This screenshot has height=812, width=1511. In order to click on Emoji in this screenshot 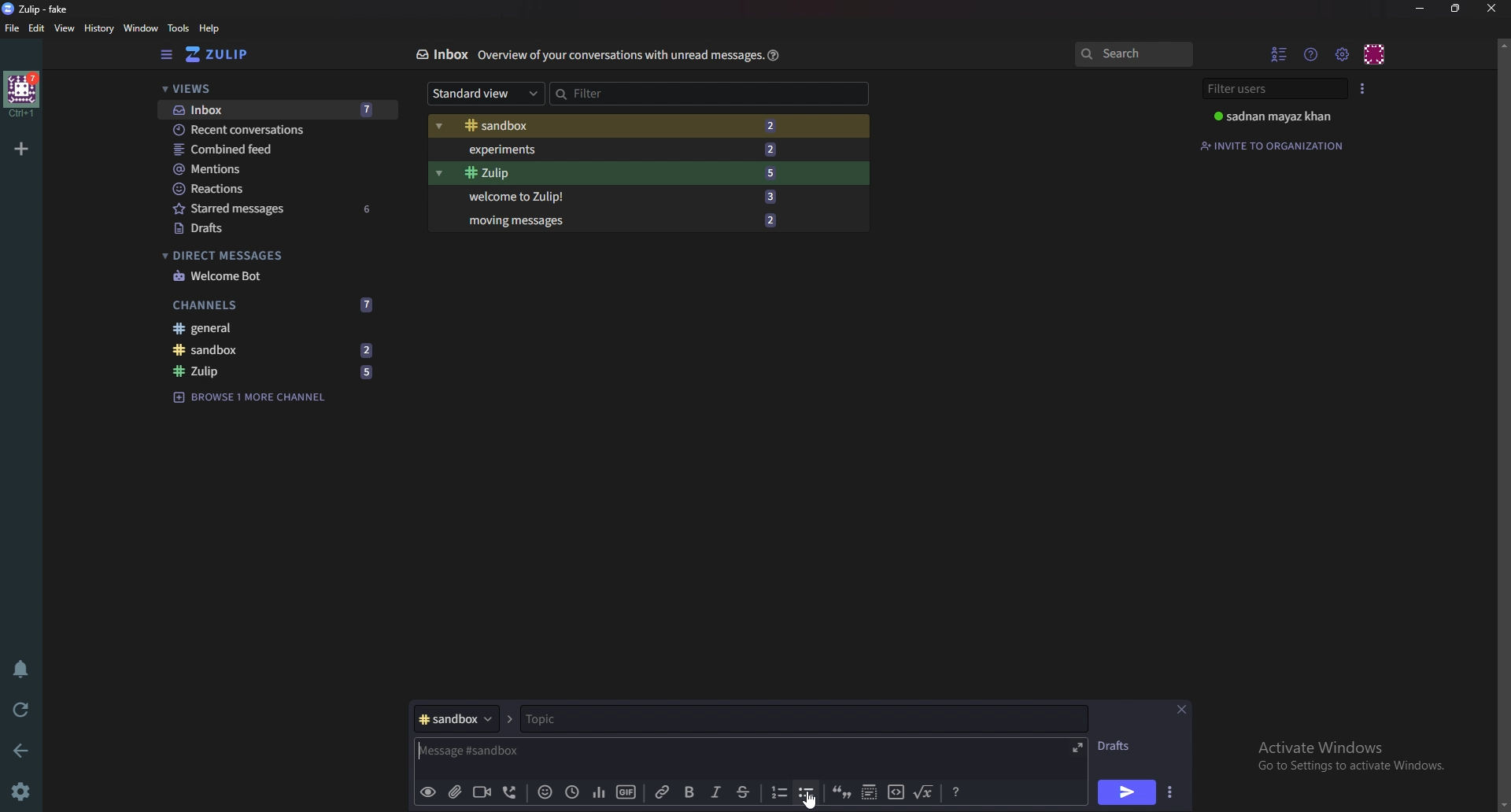, I will do `click(545, 791)`.